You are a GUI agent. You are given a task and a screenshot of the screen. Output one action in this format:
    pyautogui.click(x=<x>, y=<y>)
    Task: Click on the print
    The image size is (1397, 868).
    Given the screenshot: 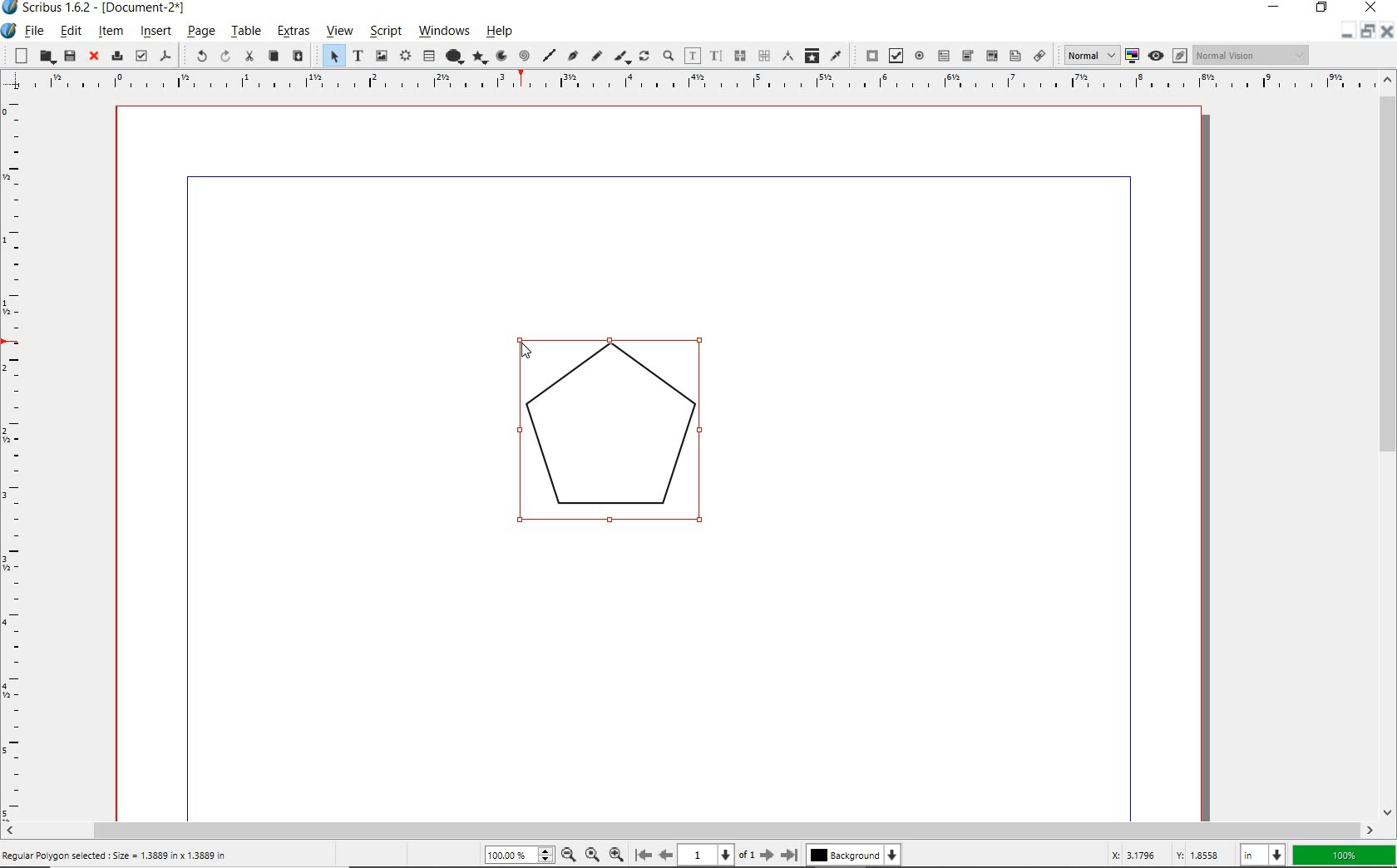 What is the action you would take?
    pyautogui.click(x=116, y=56)
    